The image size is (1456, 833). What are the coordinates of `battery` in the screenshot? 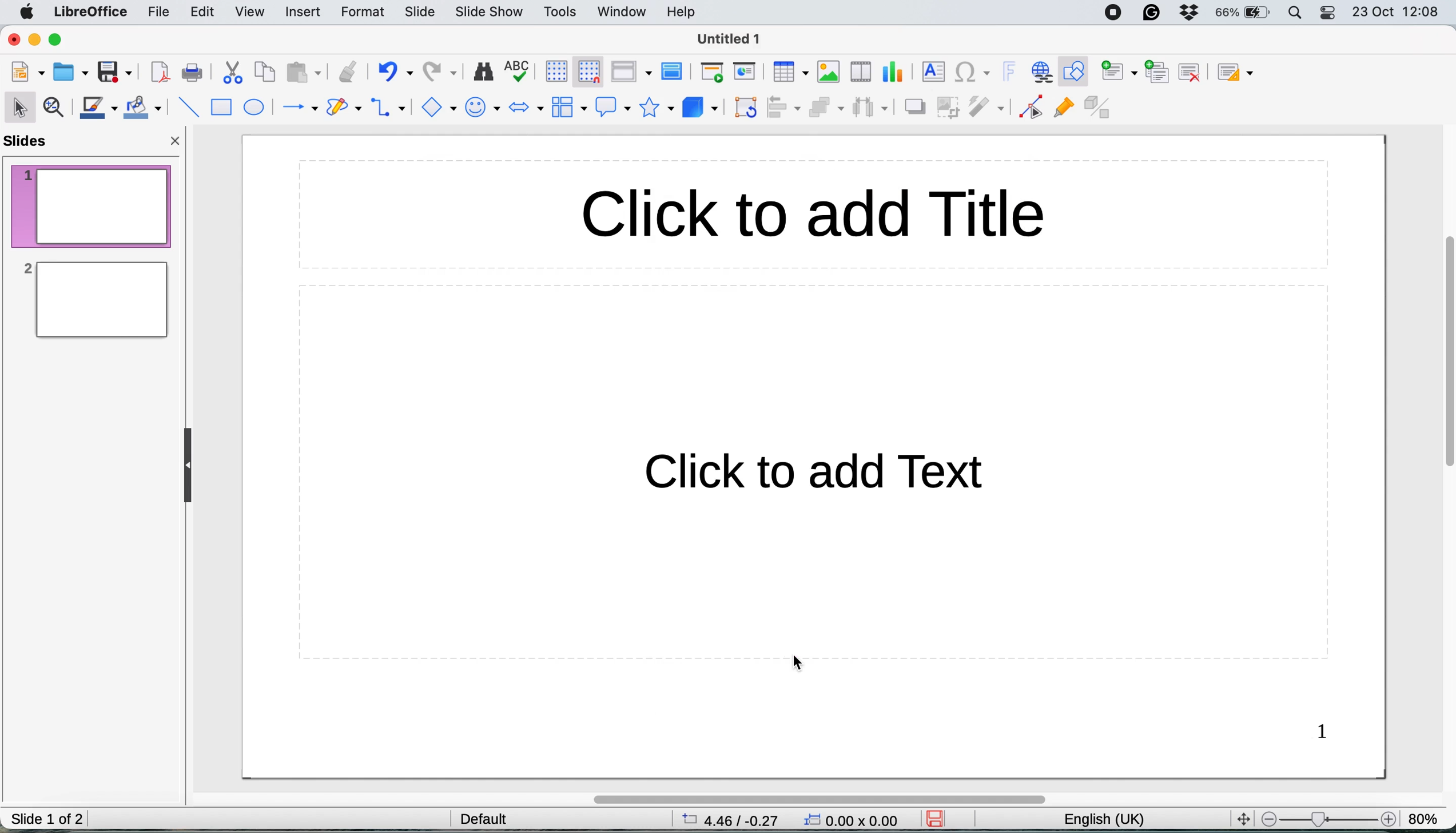 It's located at (1243, 13).